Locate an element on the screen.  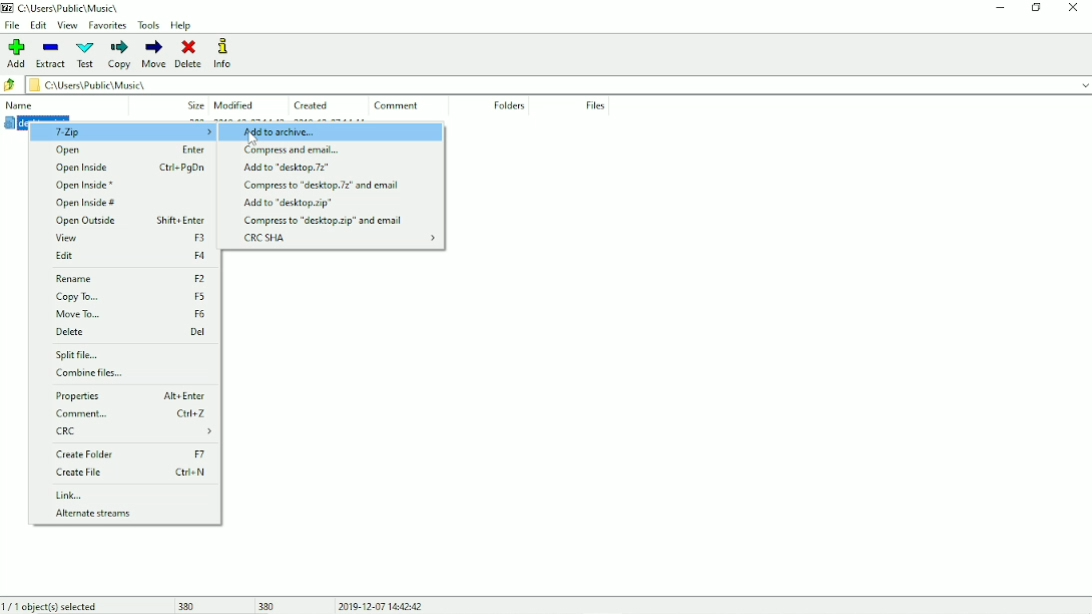
CRC is located at coordinates (134, 432).